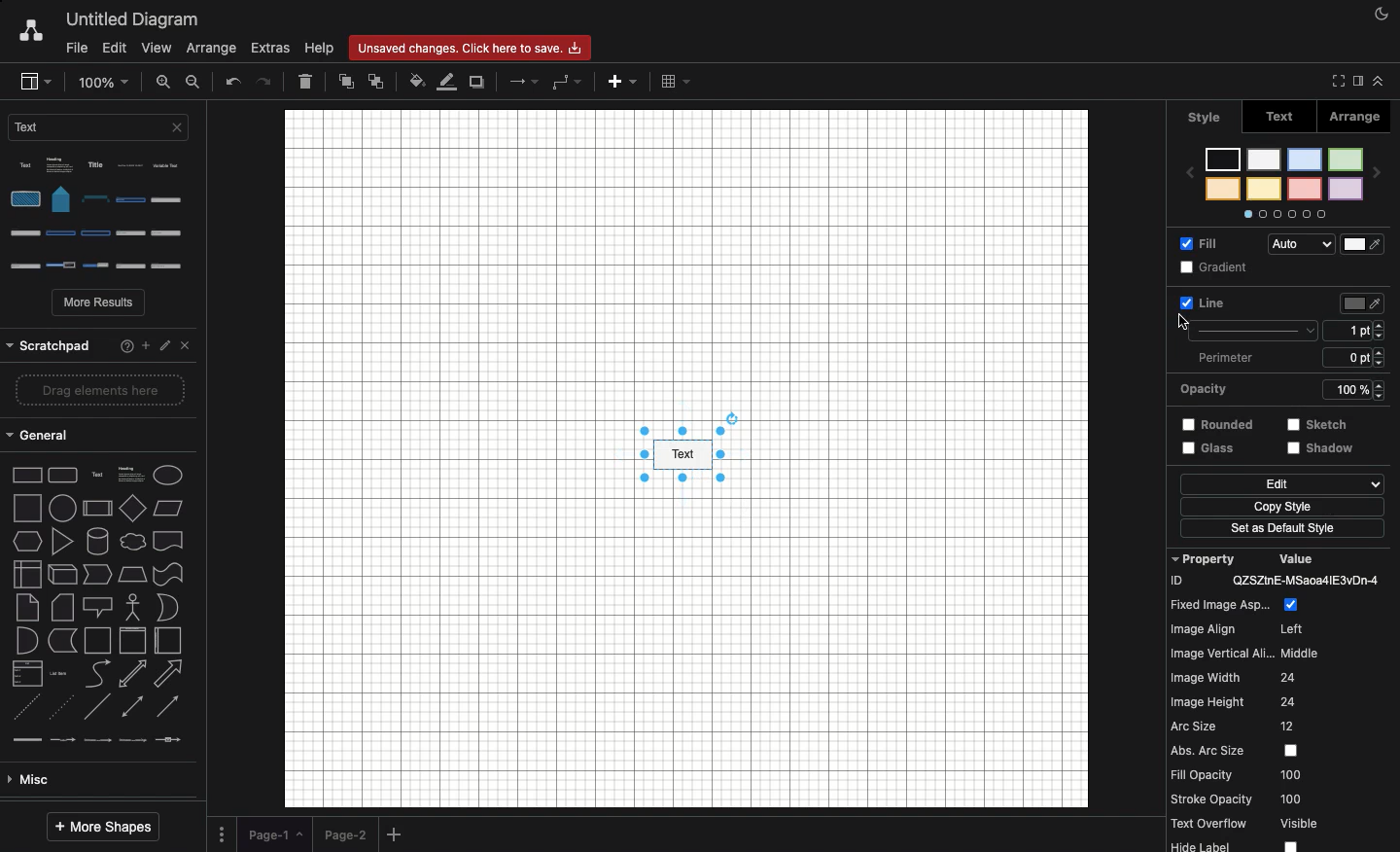 The image size is (1400, 852). What do you see at coordinates (99, 397) in the screenshot?
I see `2d shapes` at bounding box center [99, 397].